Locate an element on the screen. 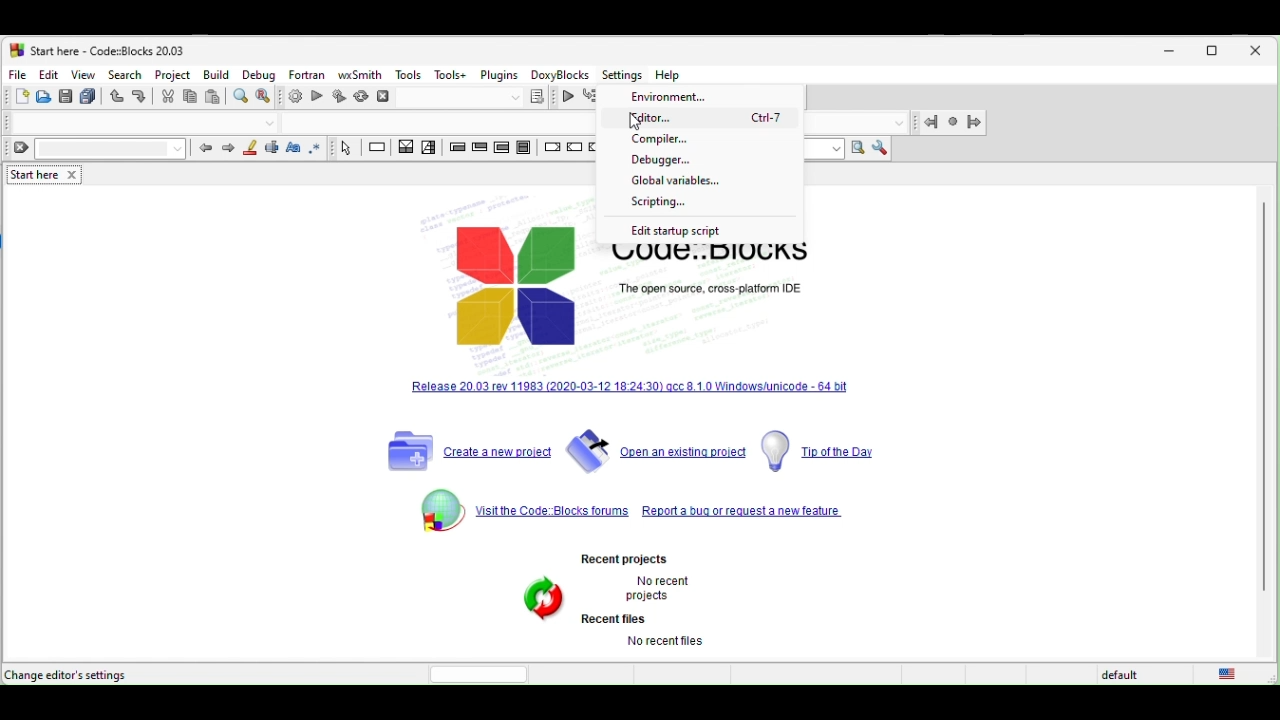  open is located at coordinates (45, 97).